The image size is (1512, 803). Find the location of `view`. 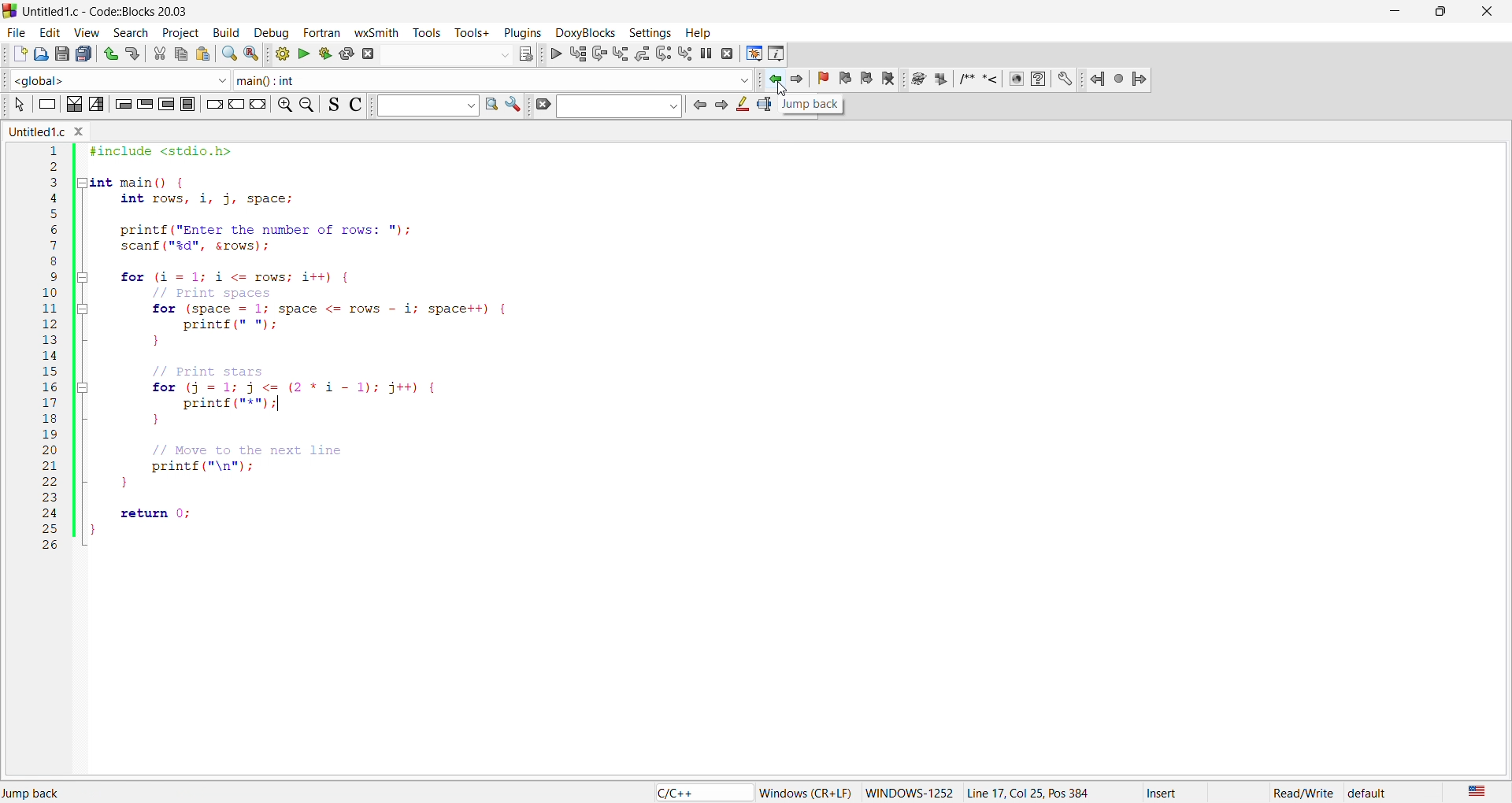

view is located at coordinates (83, 31).